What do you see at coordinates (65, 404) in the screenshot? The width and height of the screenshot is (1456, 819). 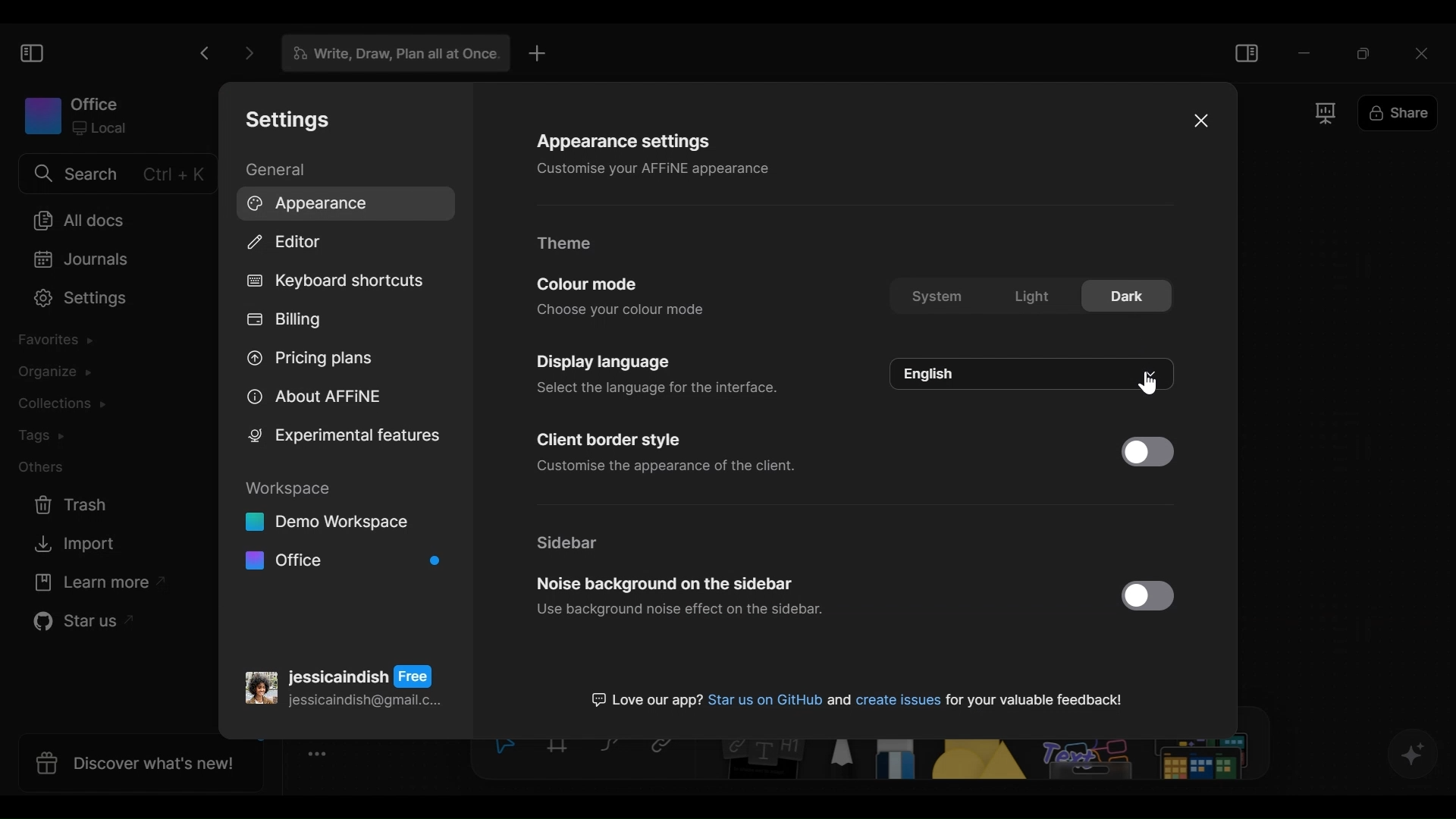 I see `Colections` at bounding box center [65, 404].